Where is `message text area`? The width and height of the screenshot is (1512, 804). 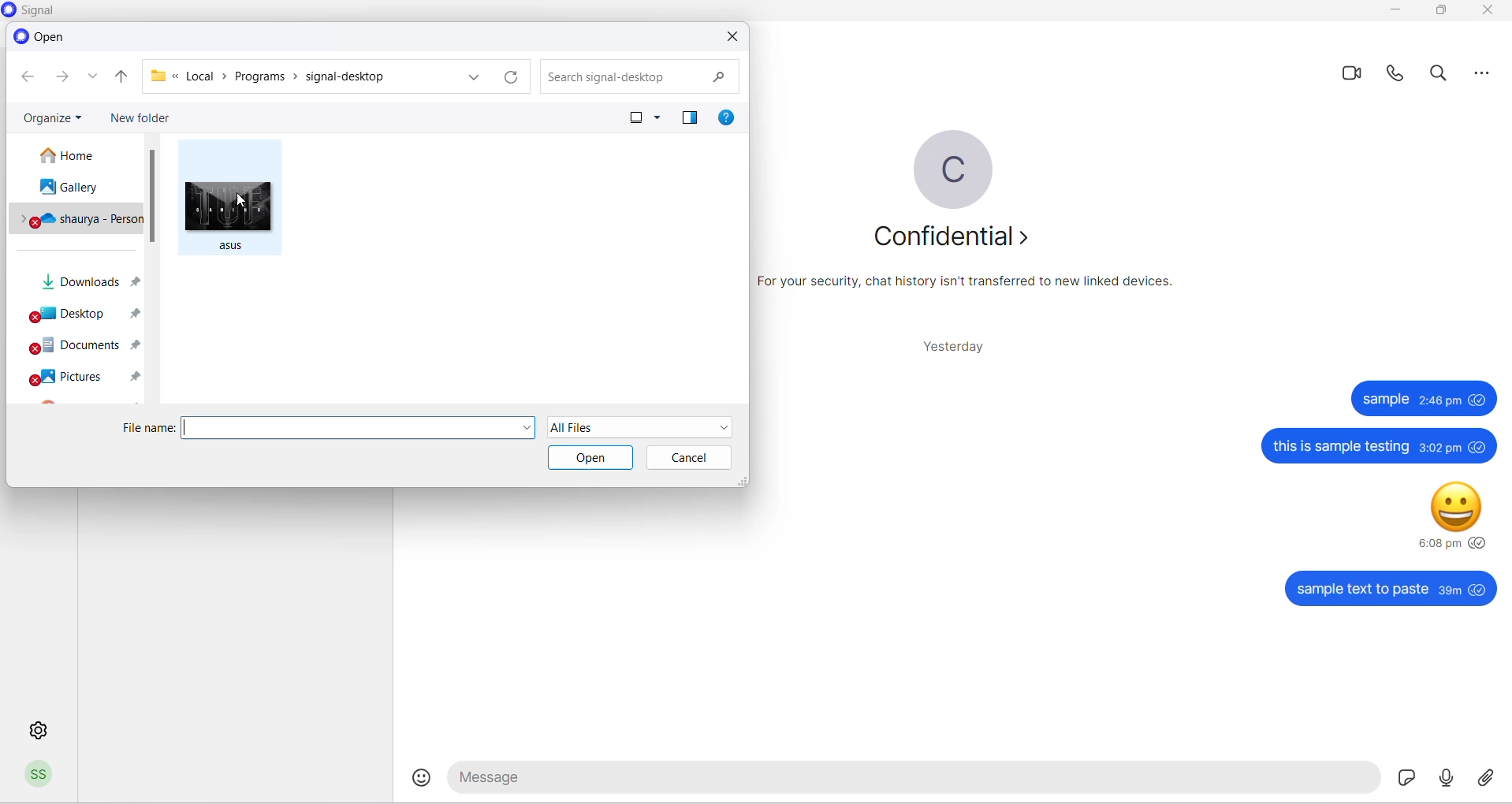 message text area is located at coordinates (909, 780).